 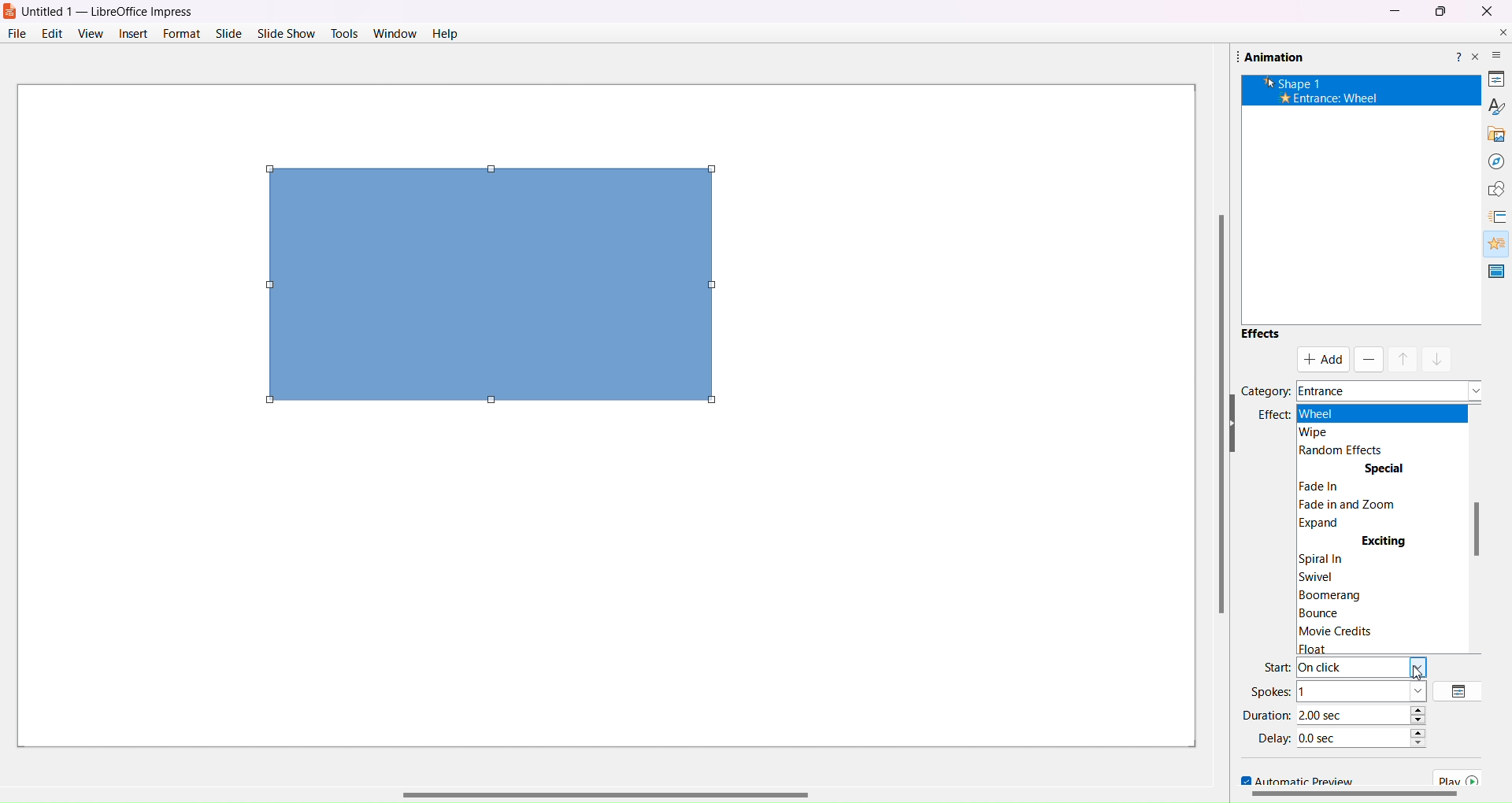 What do you see at coordinates (228, 33) in the screenshot?
I see `Slide` at bounding box center [228, 33].